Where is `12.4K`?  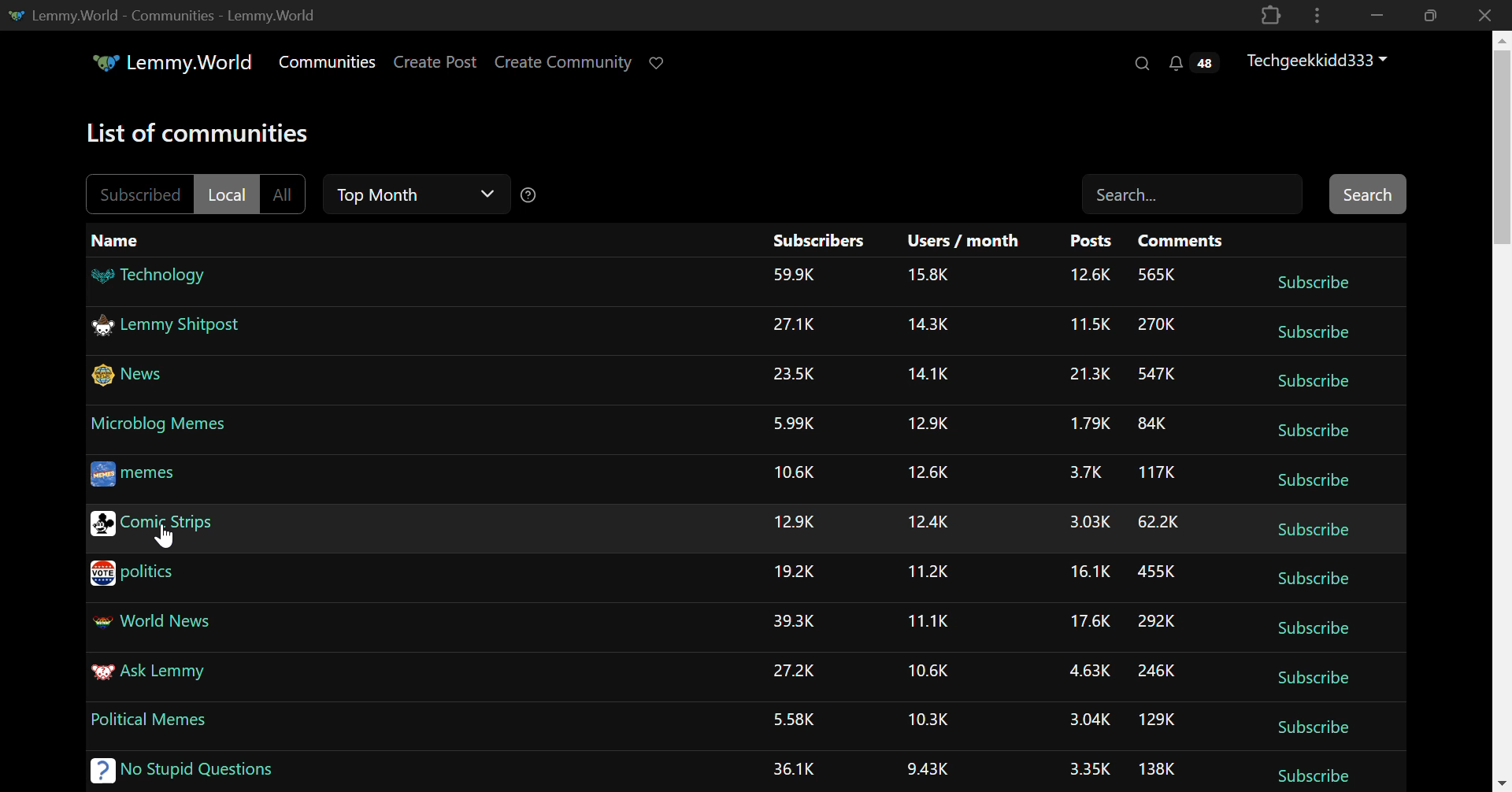 12.4K is located at coordinates (928, 522).